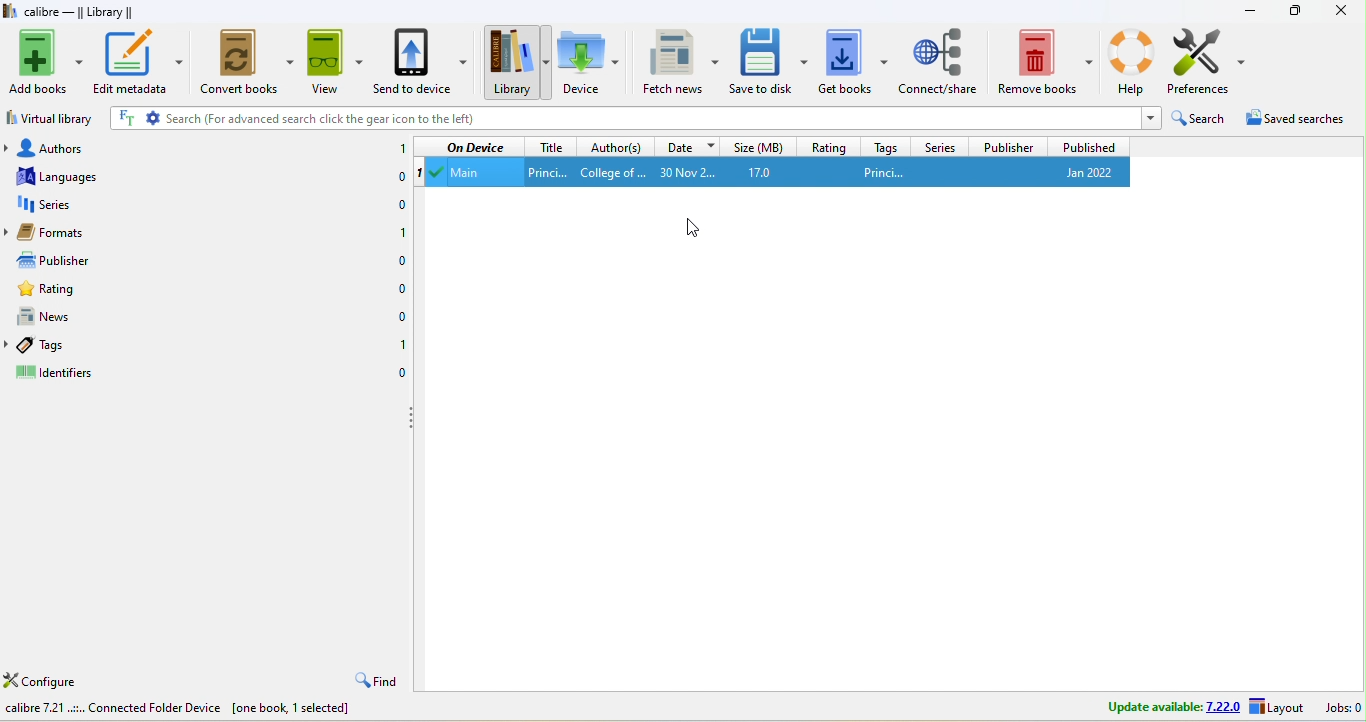 The image size is (1366, 722). What do you see at coordinates (62, 232) in the screenshot?
I see `formats` at bounding box center [62, 232].